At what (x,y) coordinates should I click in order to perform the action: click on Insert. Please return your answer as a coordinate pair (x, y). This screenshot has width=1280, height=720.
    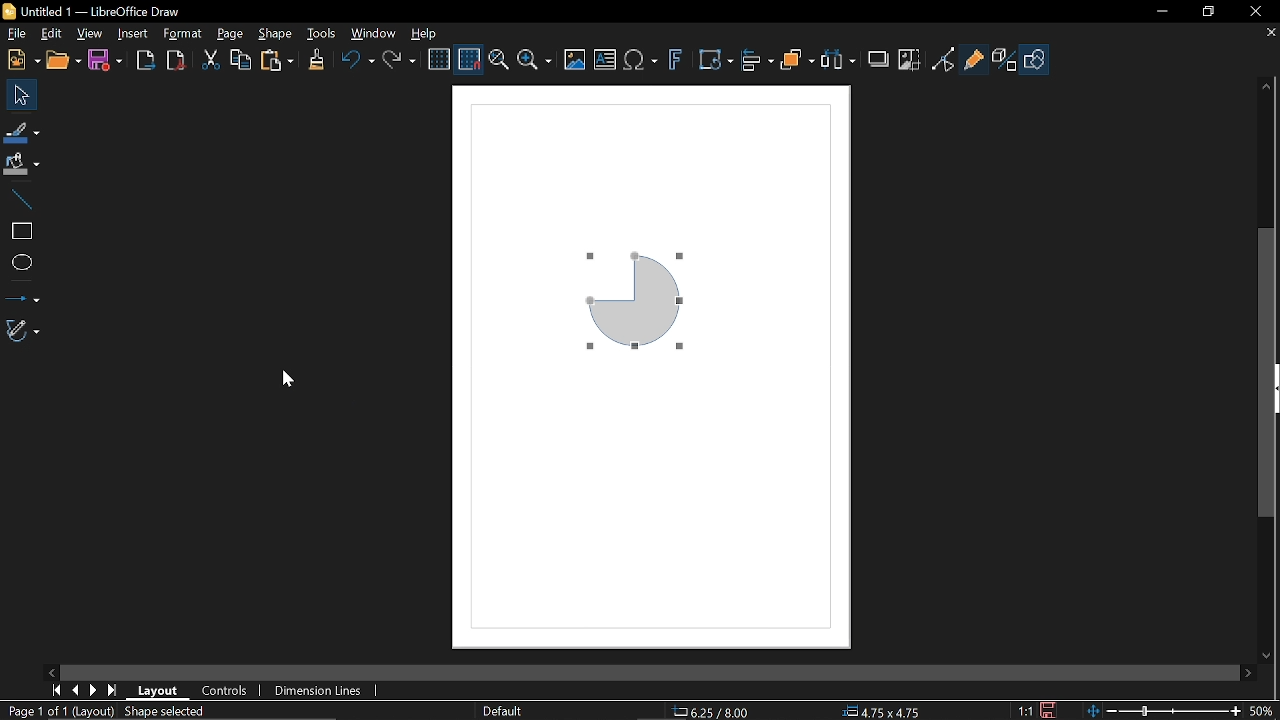
    Looking at the image, I should click on (134, 35).